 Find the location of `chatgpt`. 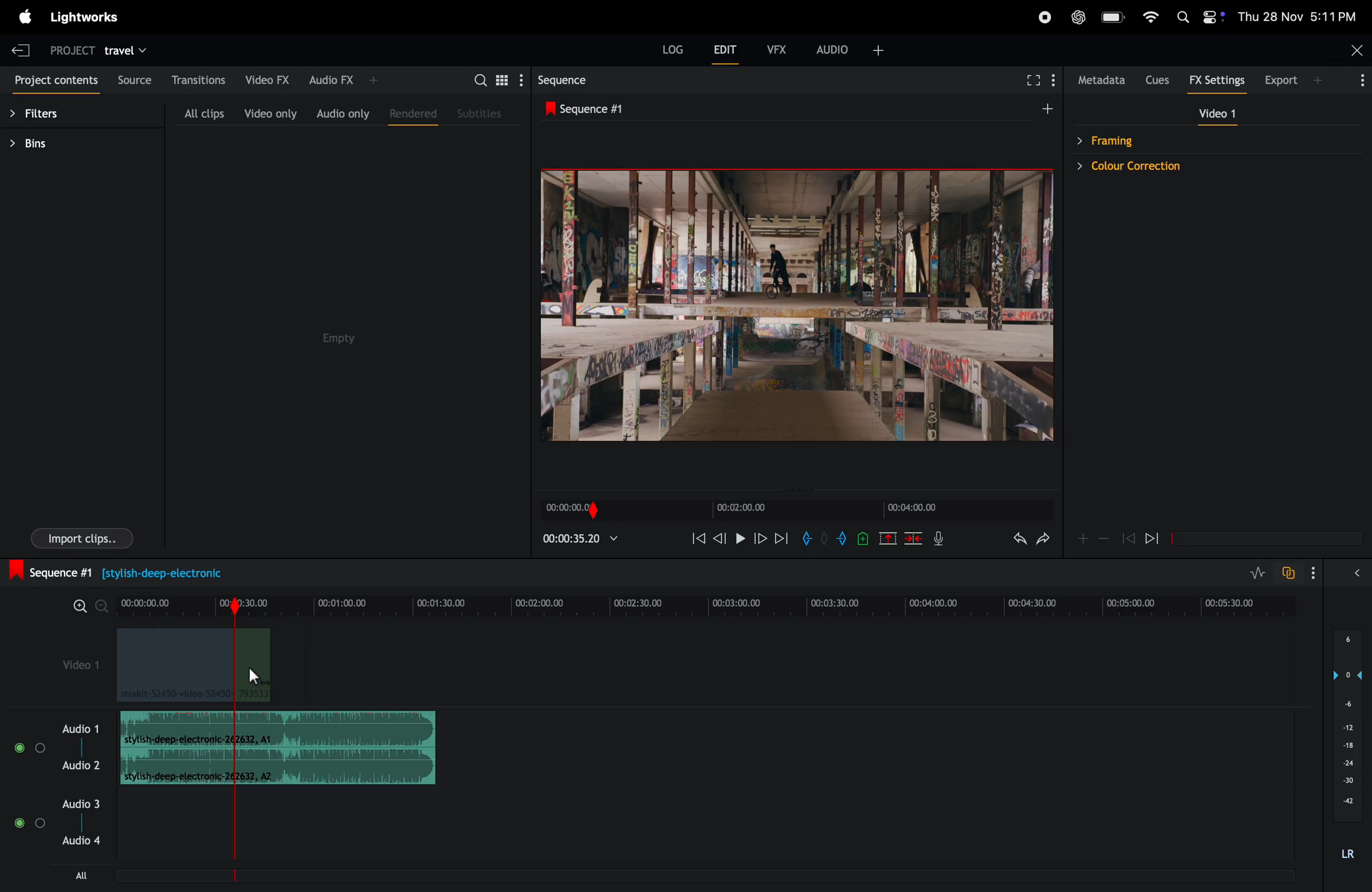

chatgpt is located at coordinates (1078, 16).